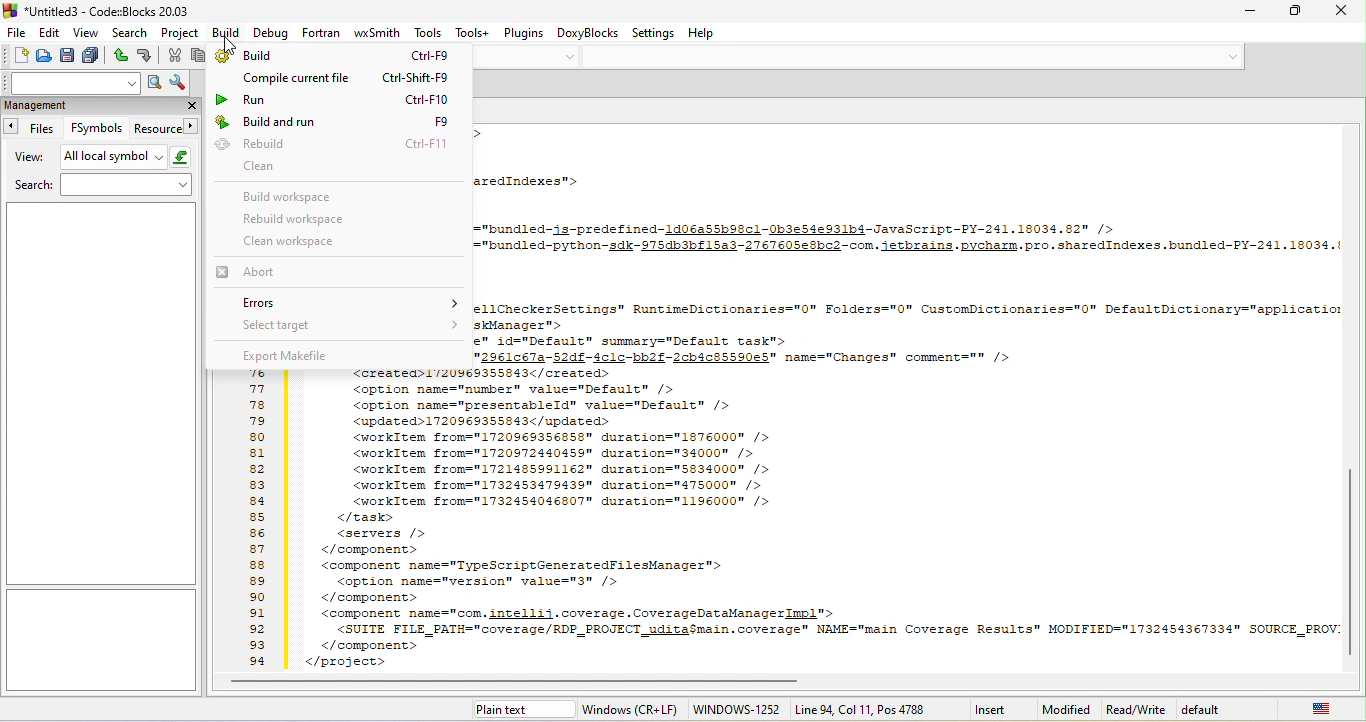 This screenshot has height=722, width=1366. I want to click on run, so click(334, 99).